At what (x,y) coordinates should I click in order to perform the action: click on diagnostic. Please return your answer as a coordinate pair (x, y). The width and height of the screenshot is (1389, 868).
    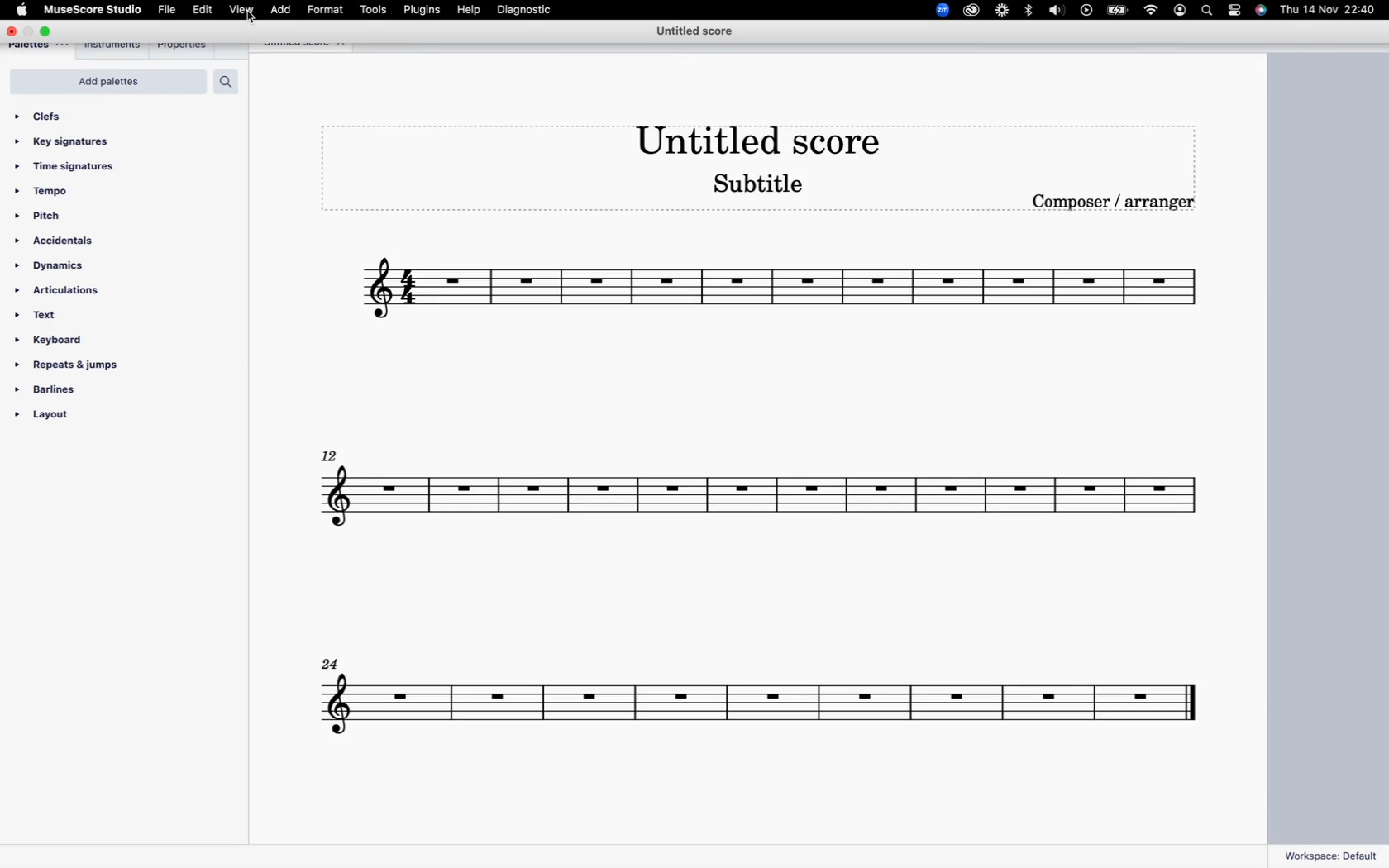
    Looking at the image, I should click on (533, 12).